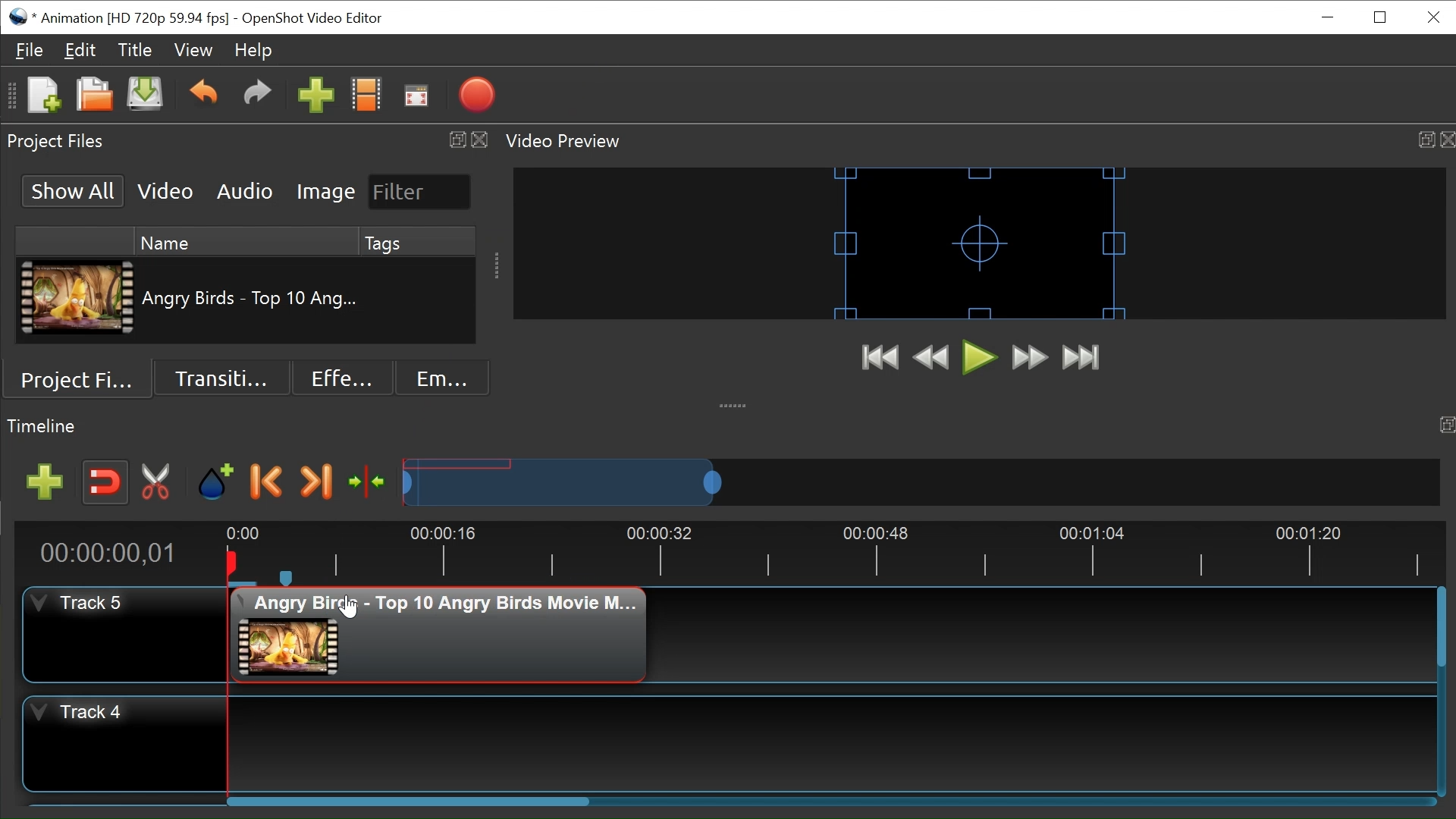  What do you see at coordinates (1382, 17) in the screenshot?
I see `Restore` at bounding box center [1382, 17].